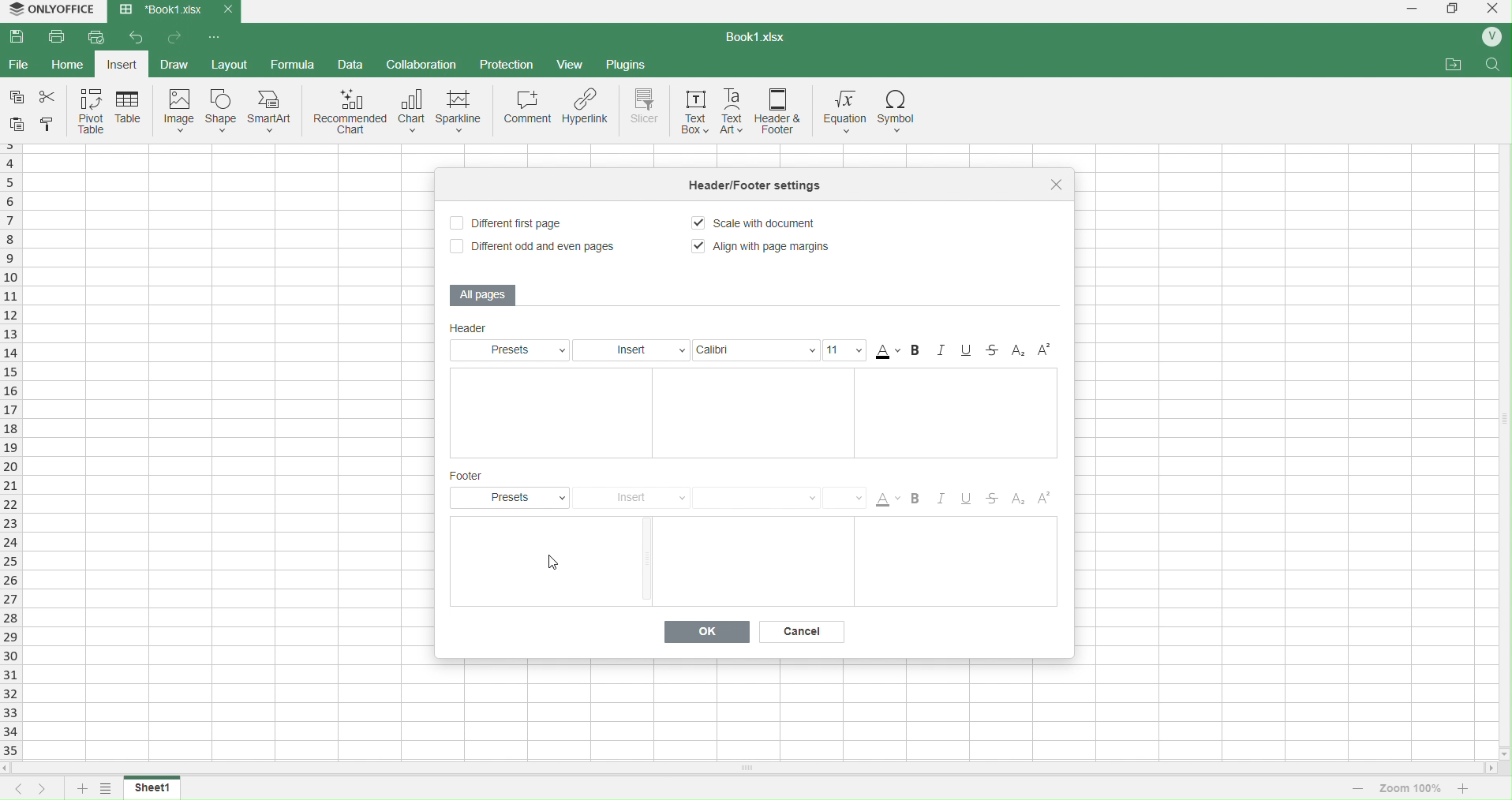 The width and height of the screenshot is (1512, 800). I want to click on Superscript, so click(1045, 353).